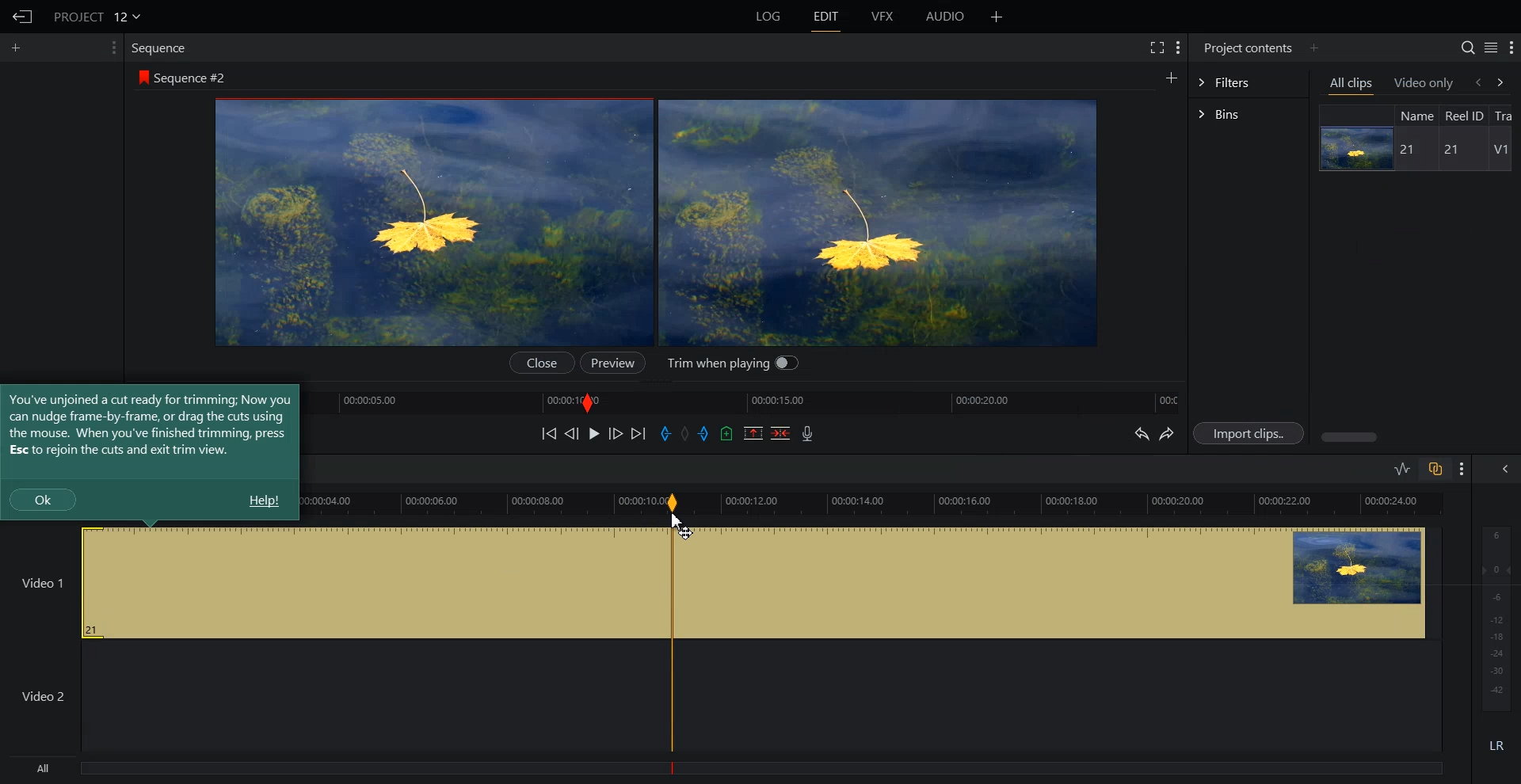 Image resolution: width=1521 pixels, height=784 pixels. Describe the element at coordinates (1494, 748) in the screenshot. I see `LR` at that location.